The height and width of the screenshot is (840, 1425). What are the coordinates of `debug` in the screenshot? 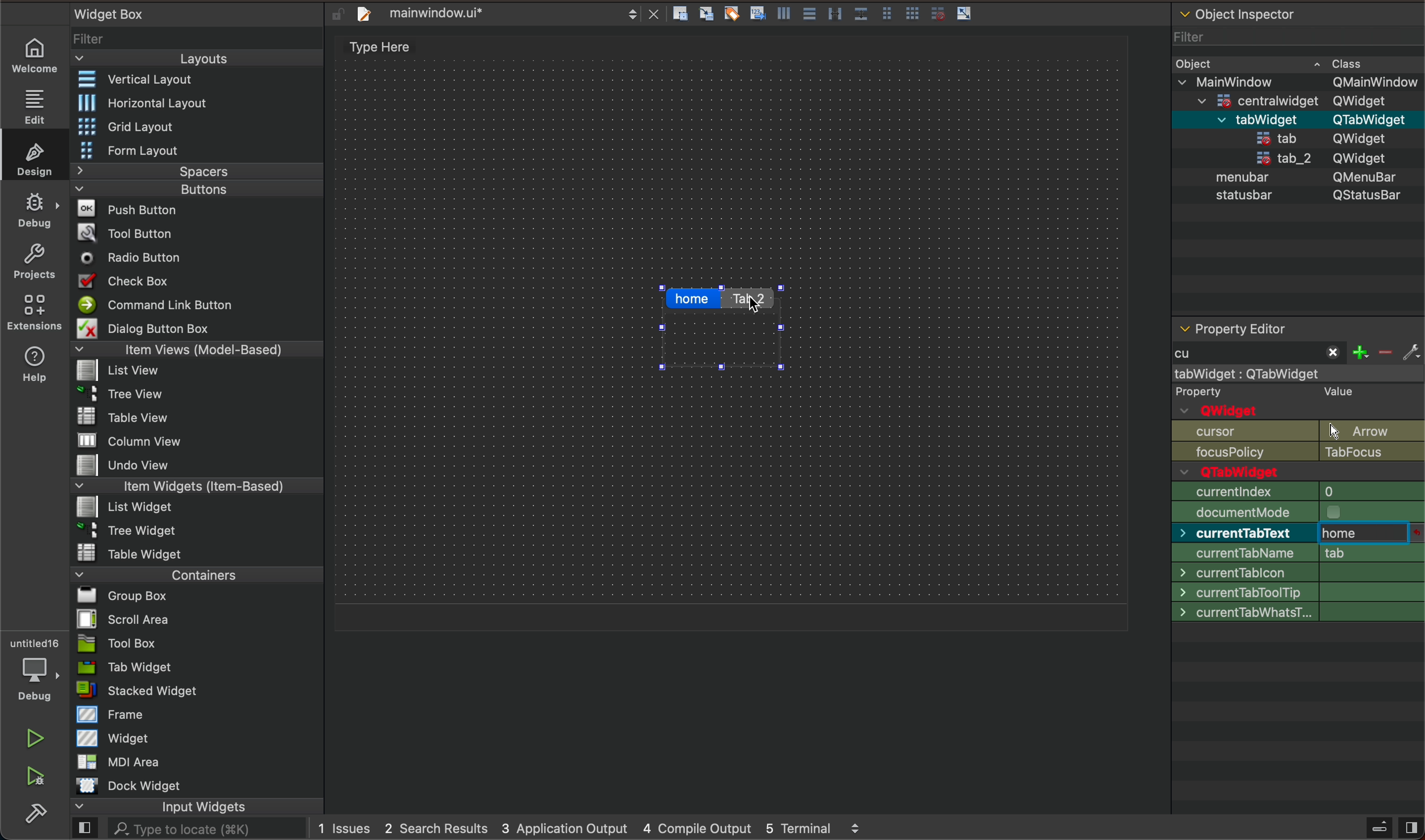 It's located at (35, 209).